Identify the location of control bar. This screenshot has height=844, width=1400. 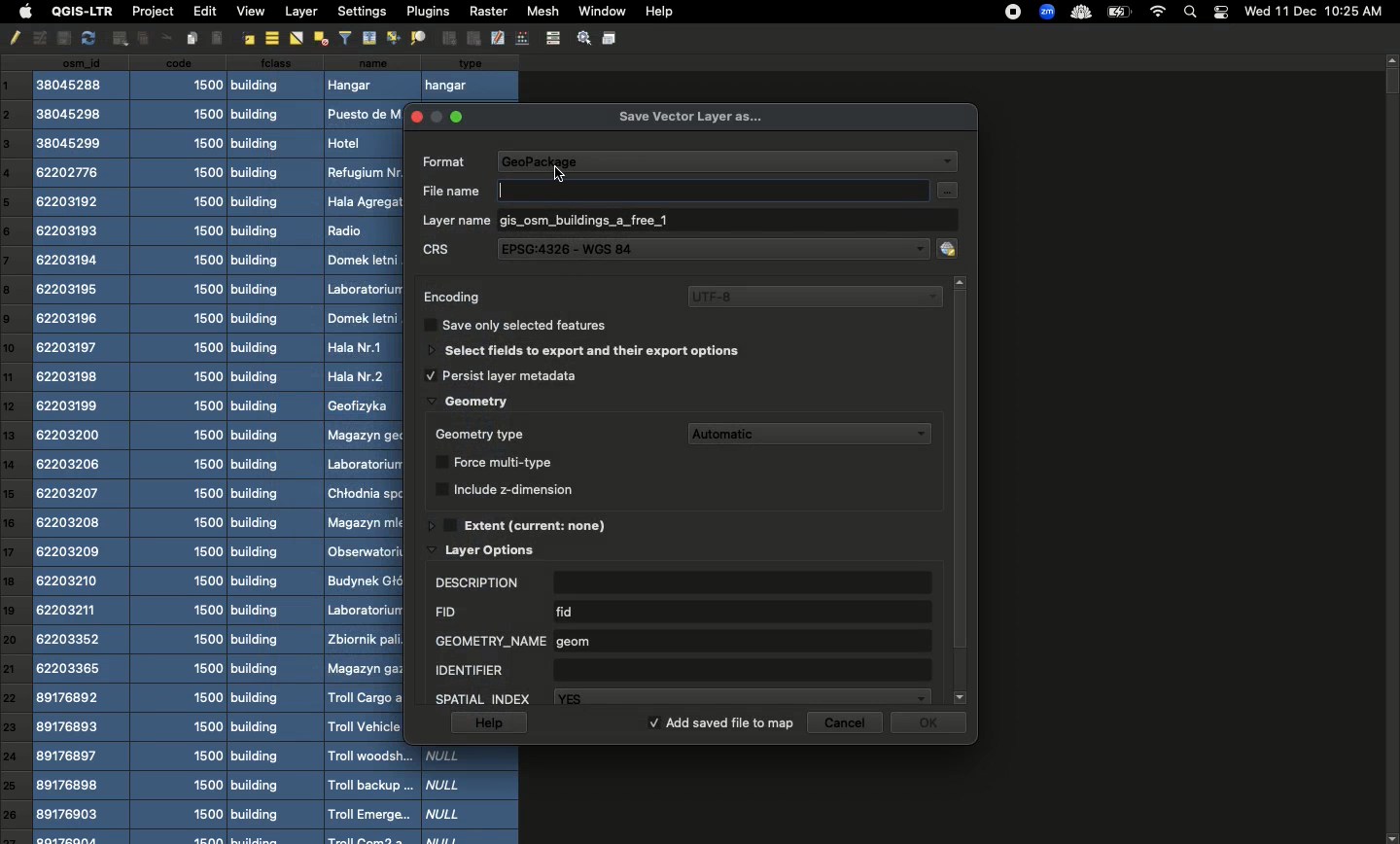
(551, 37).